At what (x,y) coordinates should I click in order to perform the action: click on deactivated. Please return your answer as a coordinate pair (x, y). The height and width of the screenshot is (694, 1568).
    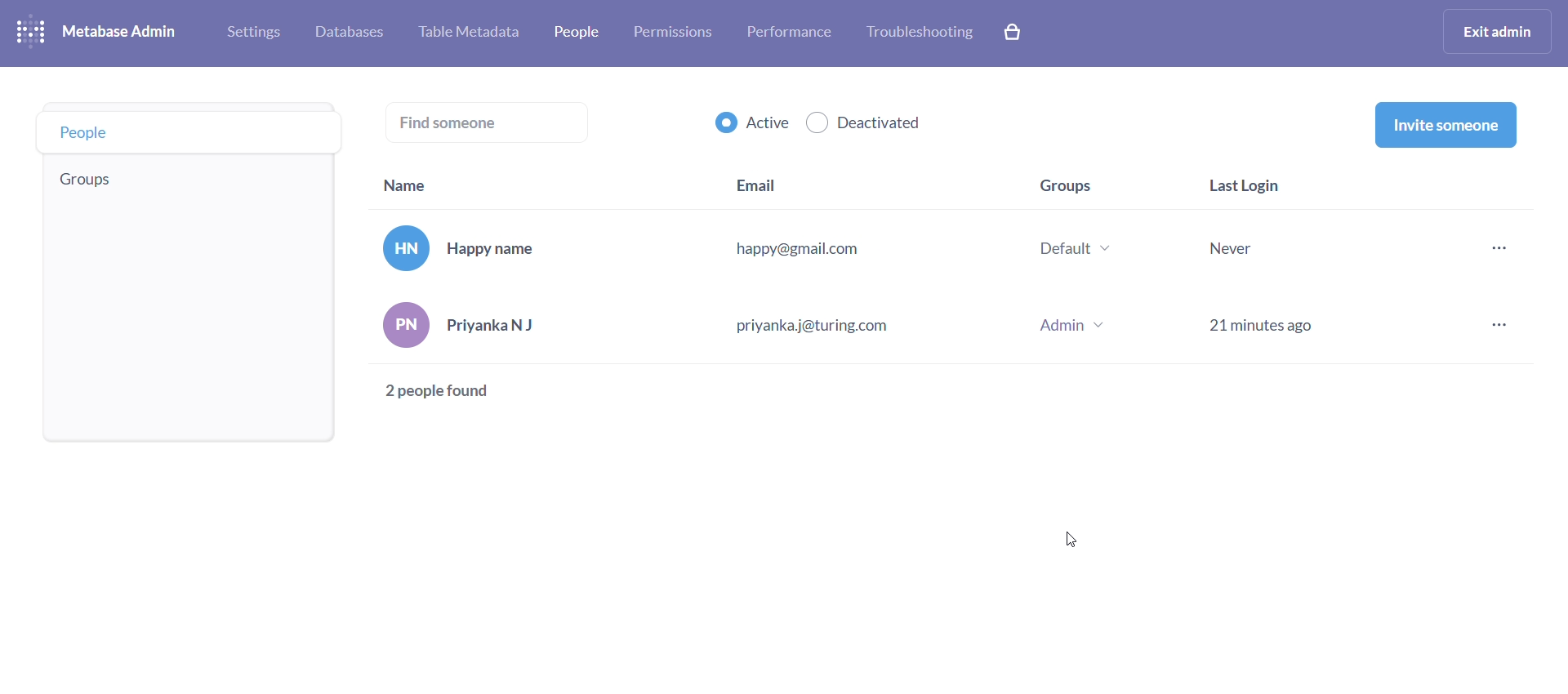
    Looking at the image, I should click on (872, 120).